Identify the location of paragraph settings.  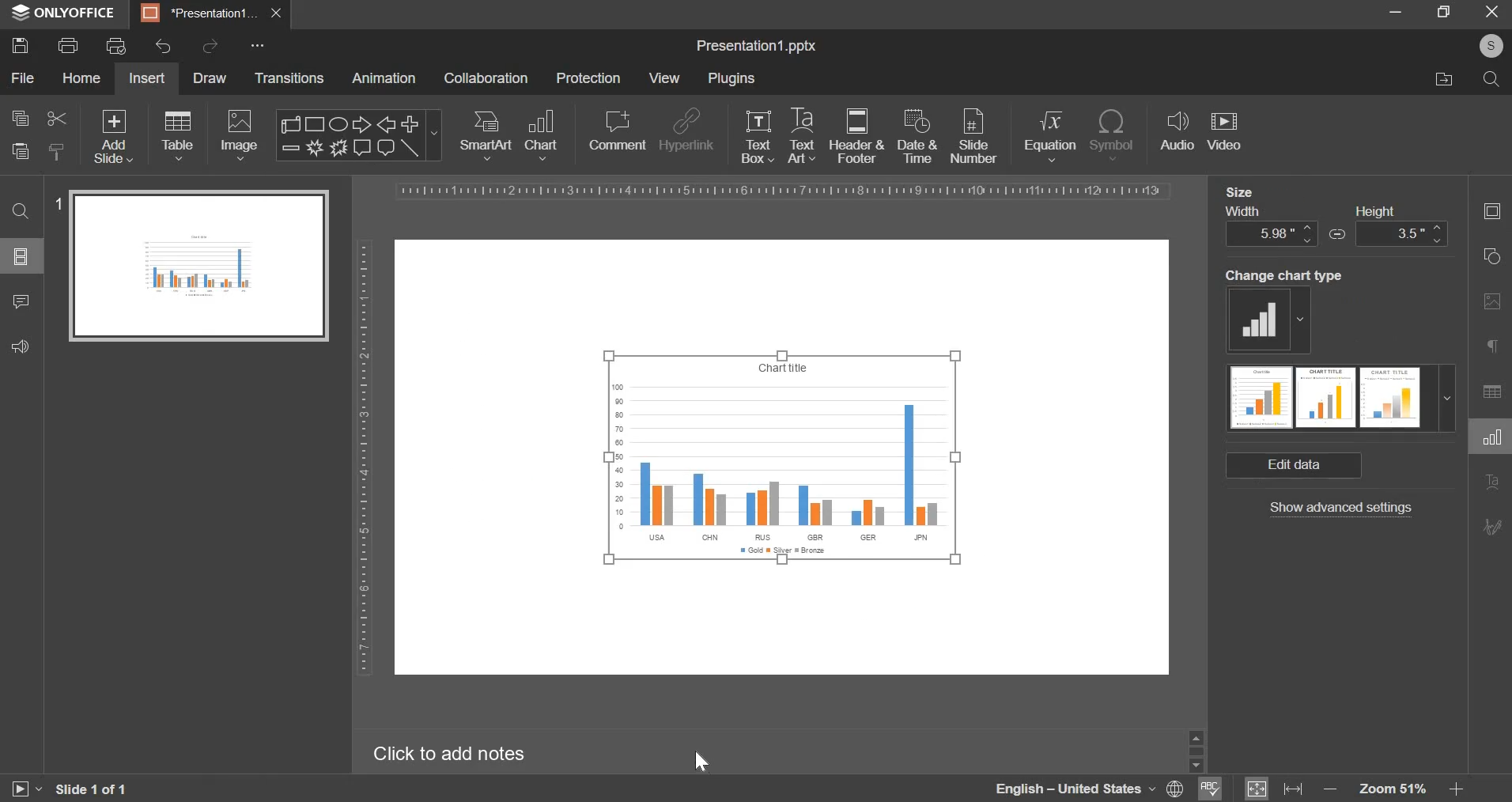
(1493, 347).